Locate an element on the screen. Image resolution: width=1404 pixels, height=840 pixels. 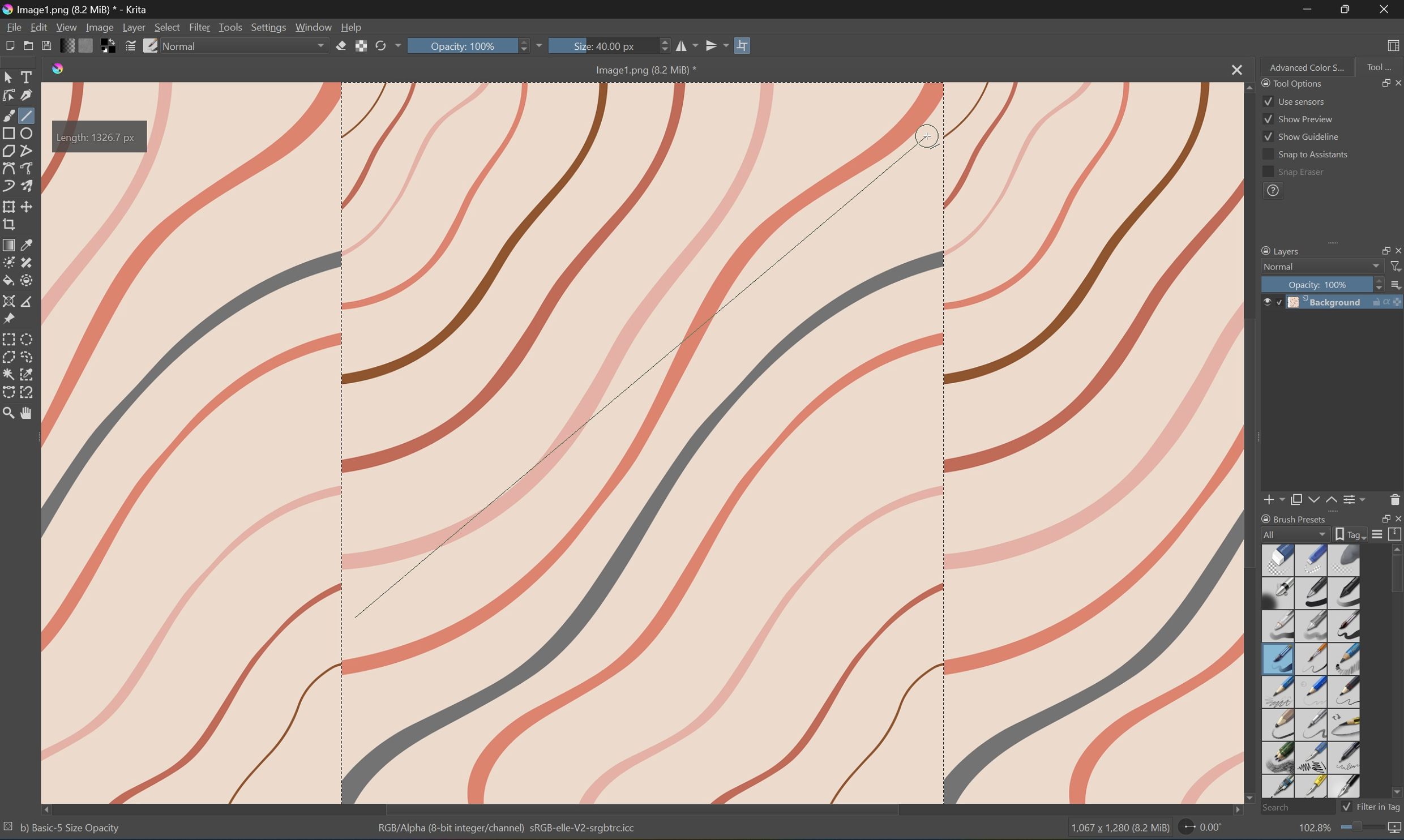
bj Basic- 5 Size Opacity is located at coordinates (70, 828).